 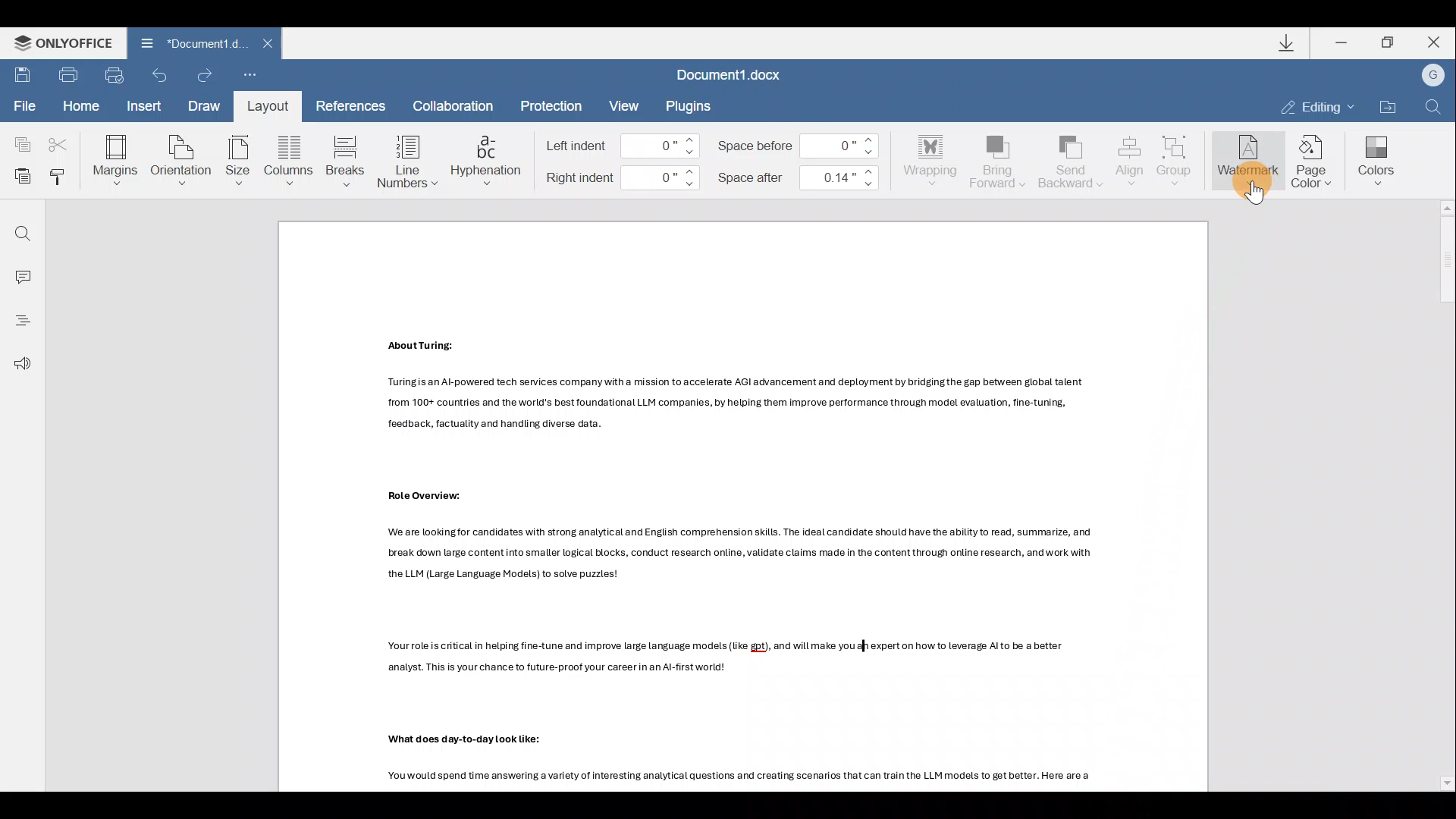 What do you see at coordinates (21, 229) in the screenshot?
I see `Find` at bounding box center [21, 229].